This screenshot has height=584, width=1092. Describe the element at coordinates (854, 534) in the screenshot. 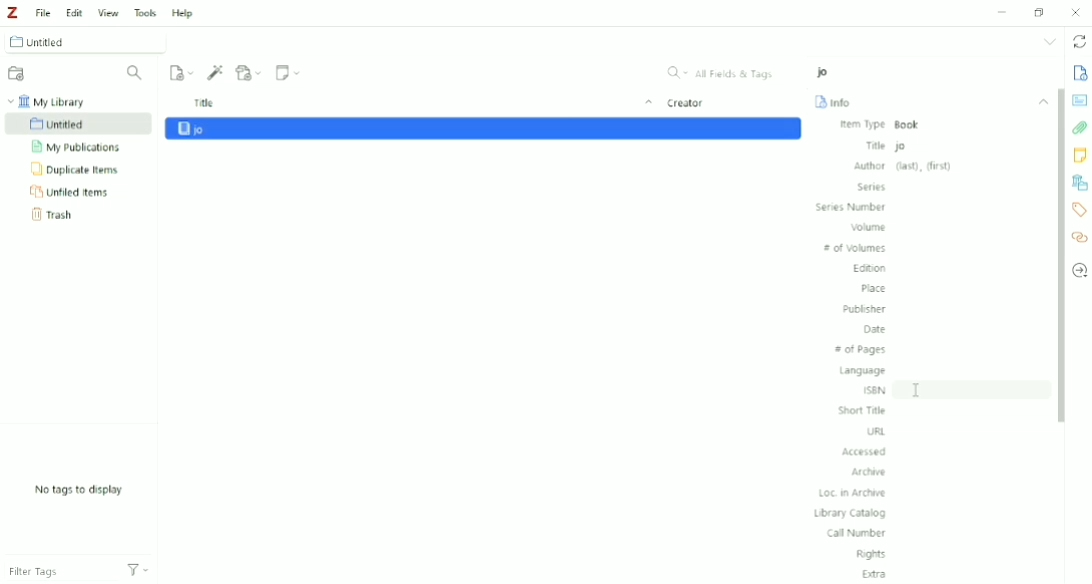

I see `Call Number` at that location.